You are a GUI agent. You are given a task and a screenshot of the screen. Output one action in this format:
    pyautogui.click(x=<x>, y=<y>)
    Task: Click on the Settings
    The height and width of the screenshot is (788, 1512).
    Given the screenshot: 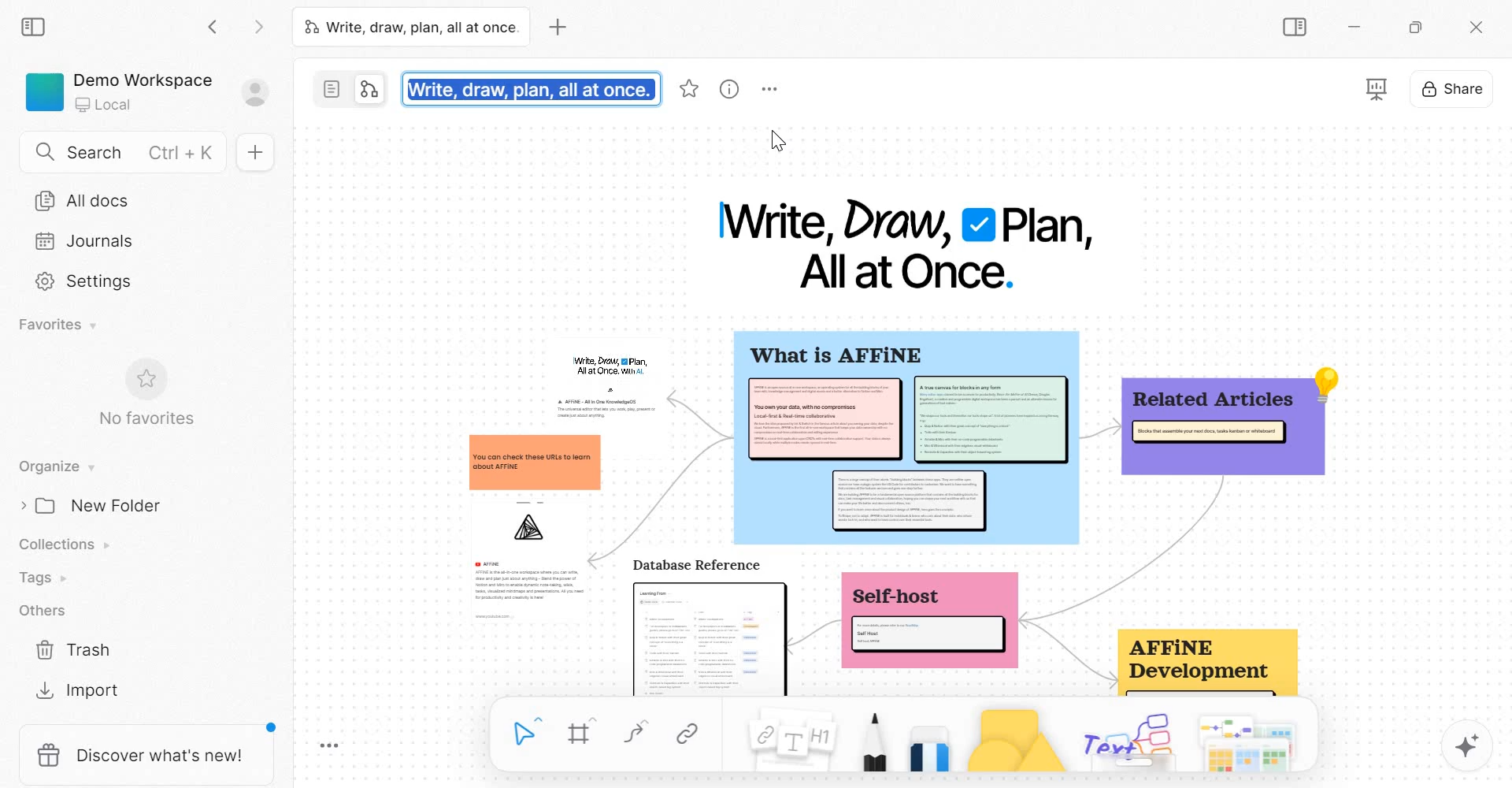 What is the action you would take?
    pyautogui.click(x=83, y=283)
    